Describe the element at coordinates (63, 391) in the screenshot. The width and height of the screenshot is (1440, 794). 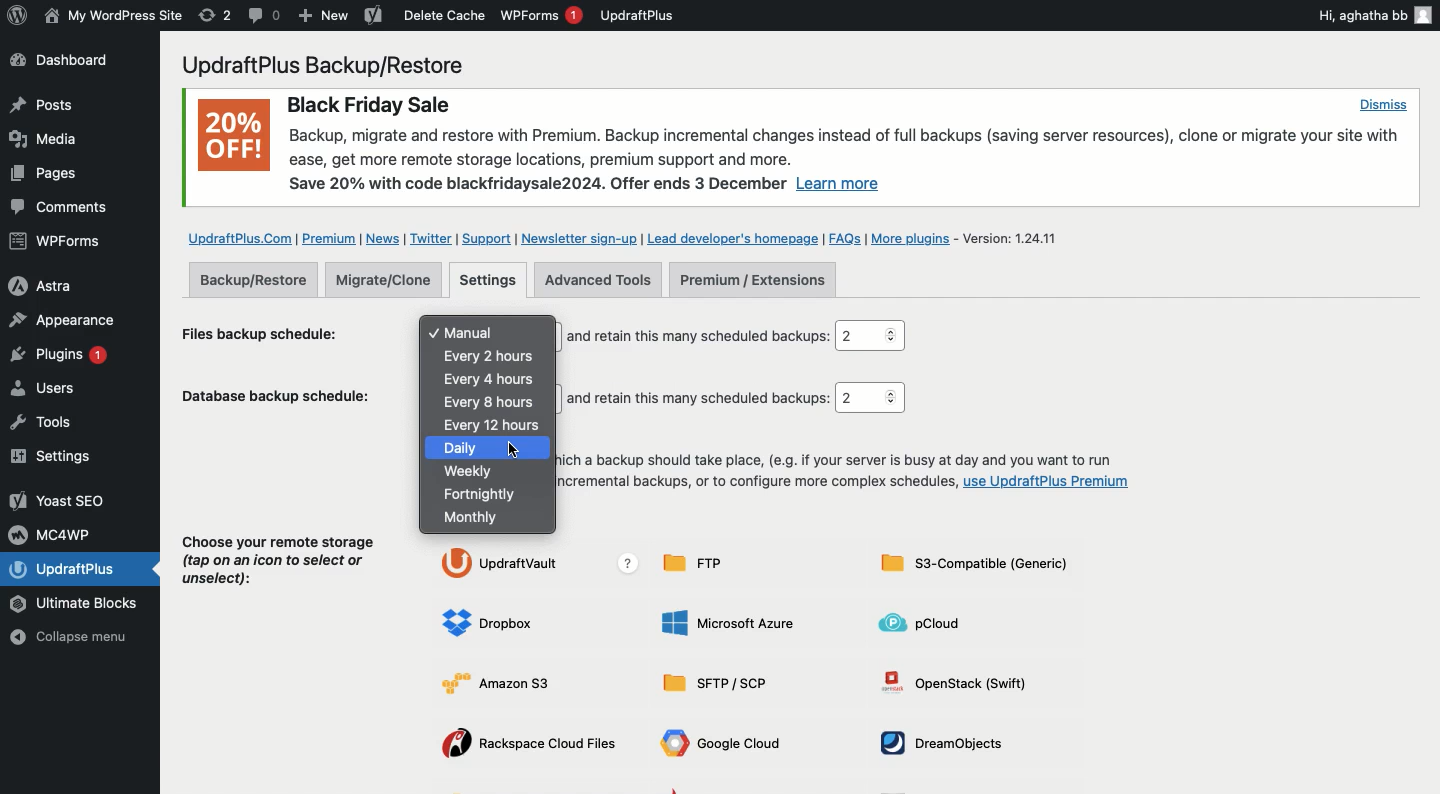
I see `Users` at that location.